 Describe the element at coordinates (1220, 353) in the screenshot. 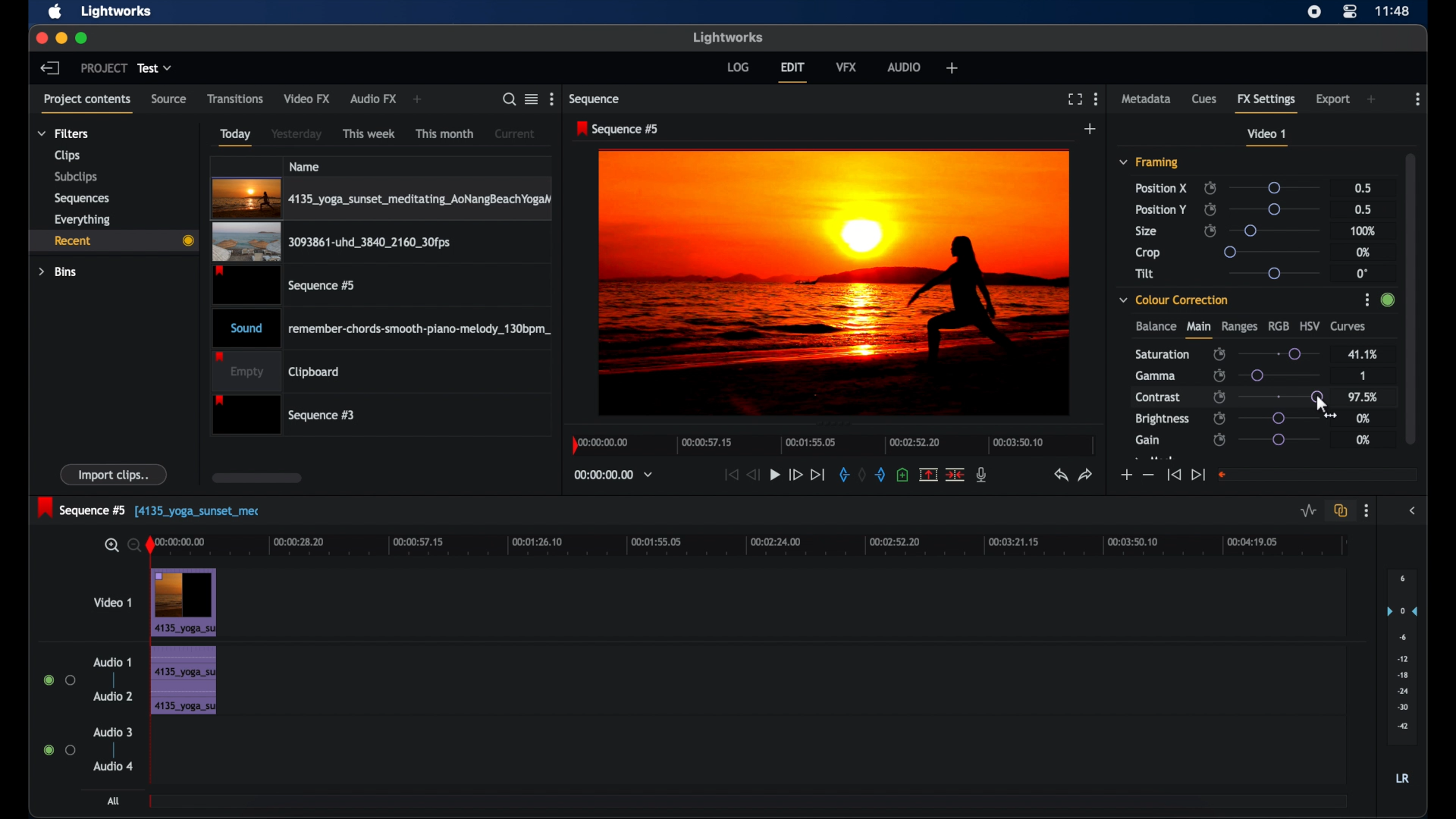

I see `enable/disbale keyframes` at that location.